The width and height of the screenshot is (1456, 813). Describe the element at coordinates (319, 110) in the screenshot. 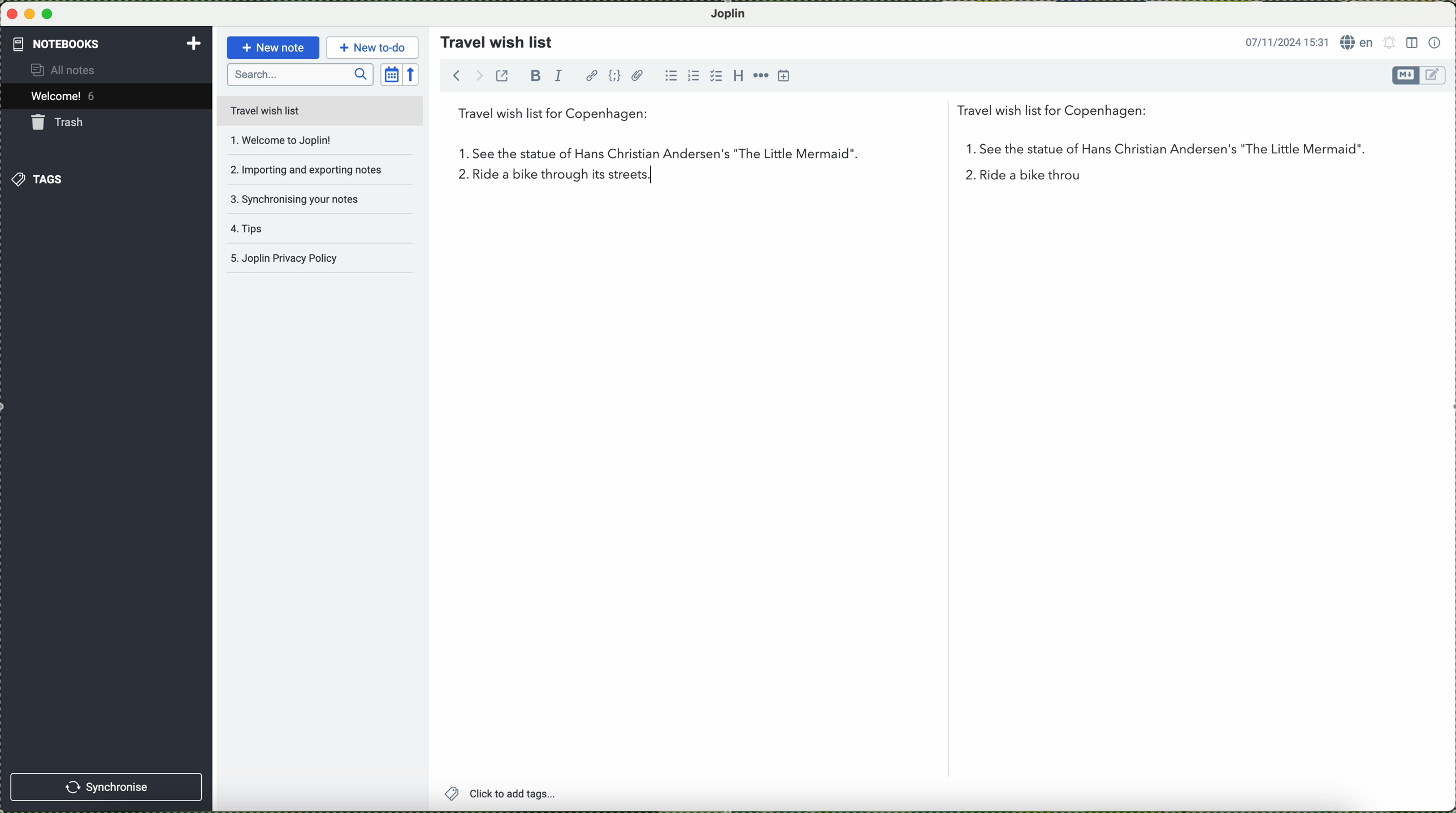

I see `travel wish list file` at that location.